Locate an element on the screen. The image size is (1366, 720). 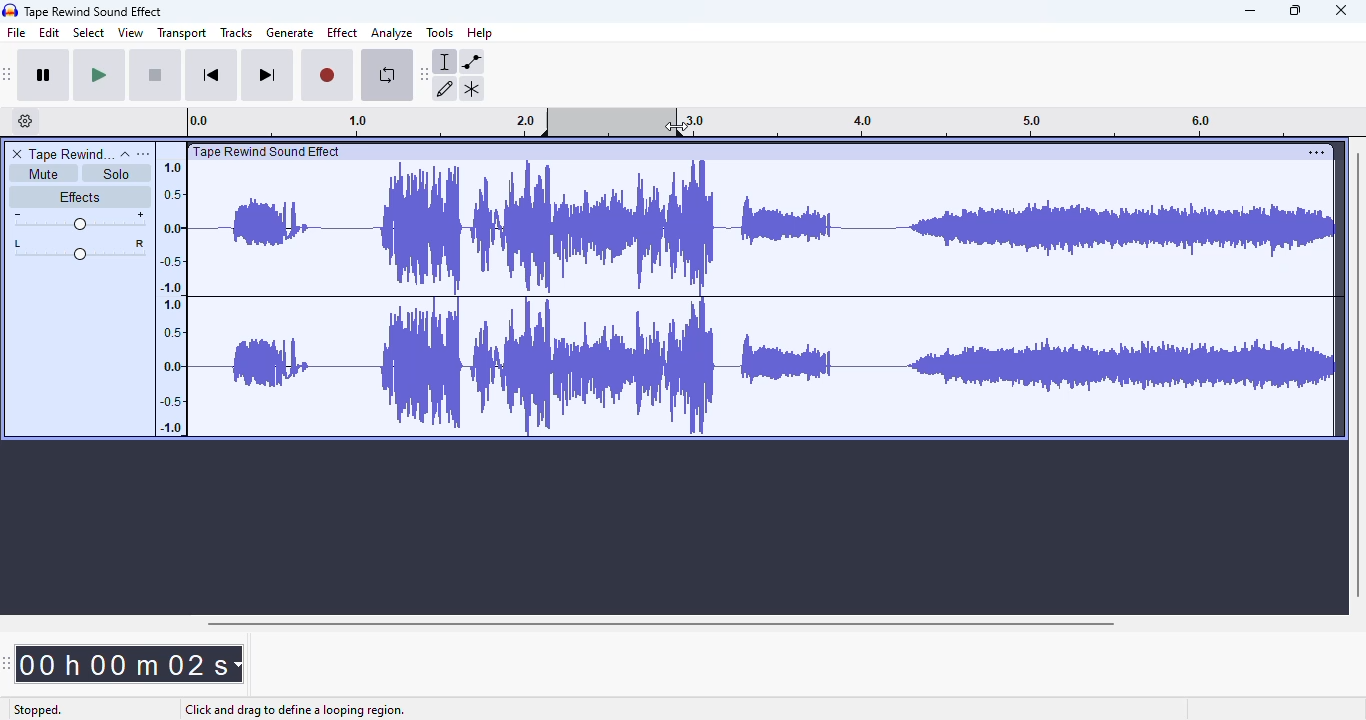
view is located at coordinates (131, 33).